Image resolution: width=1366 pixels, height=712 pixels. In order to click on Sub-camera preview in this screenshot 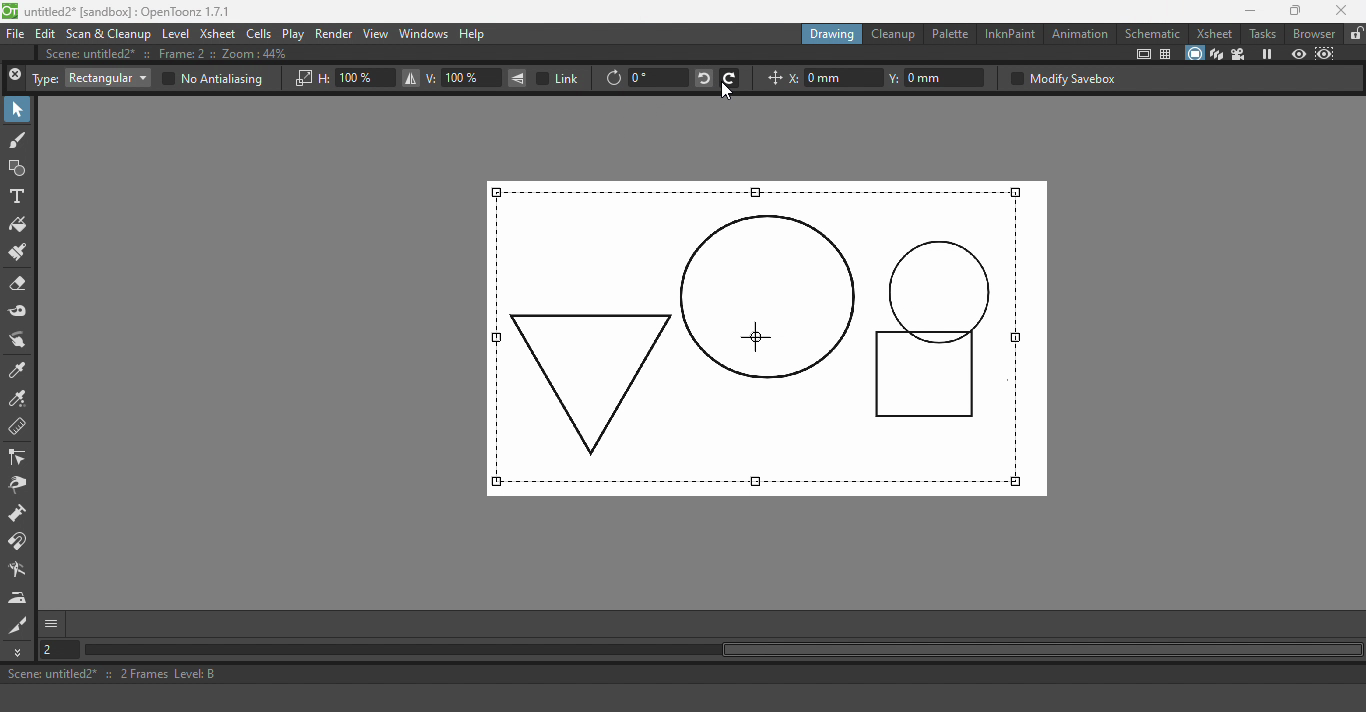, I will do `click(1325, 53)`.